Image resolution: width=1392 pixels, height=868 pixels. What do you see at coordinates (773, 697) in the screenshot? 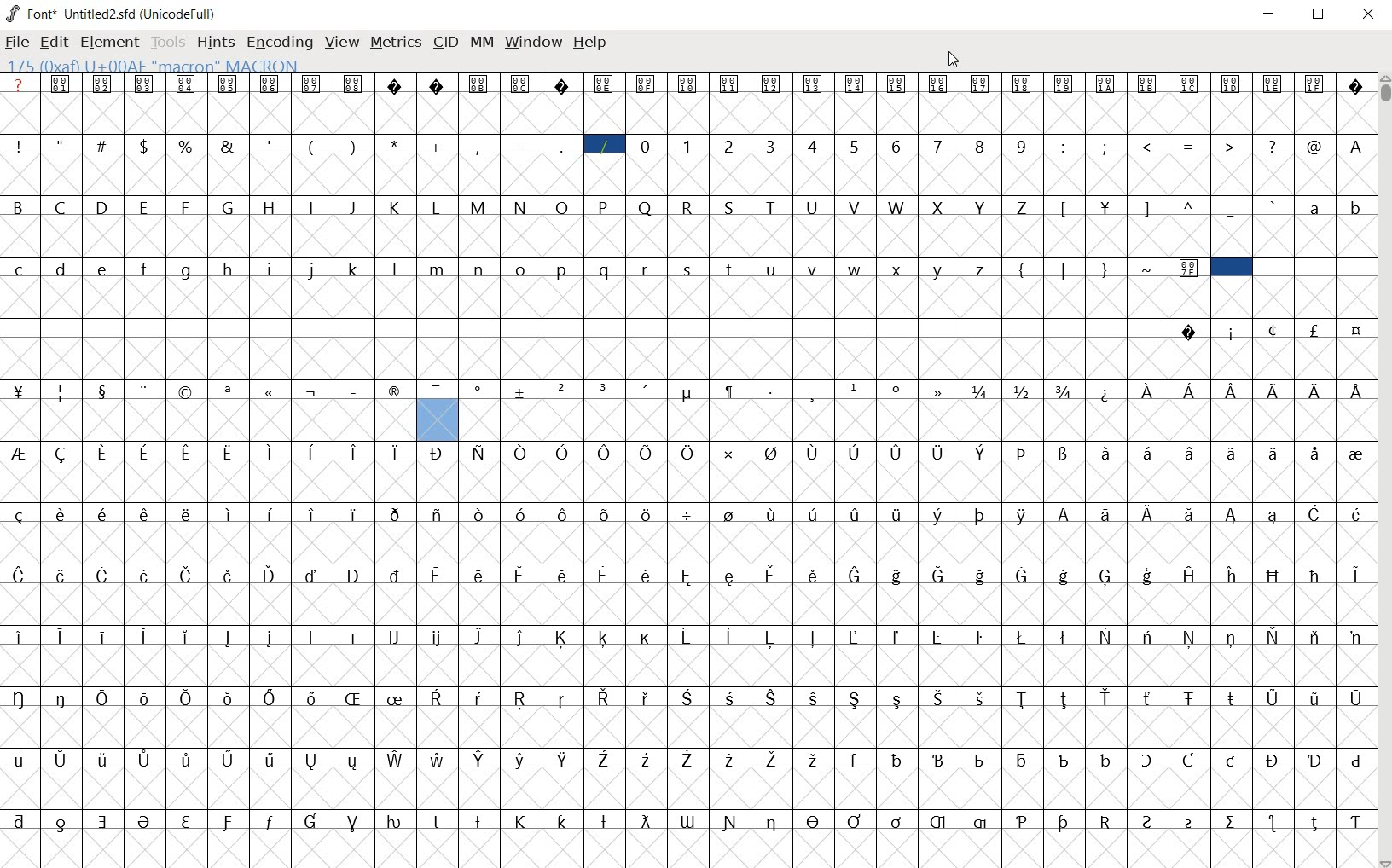
I see `Symbol` at bounding box center [773, 697].